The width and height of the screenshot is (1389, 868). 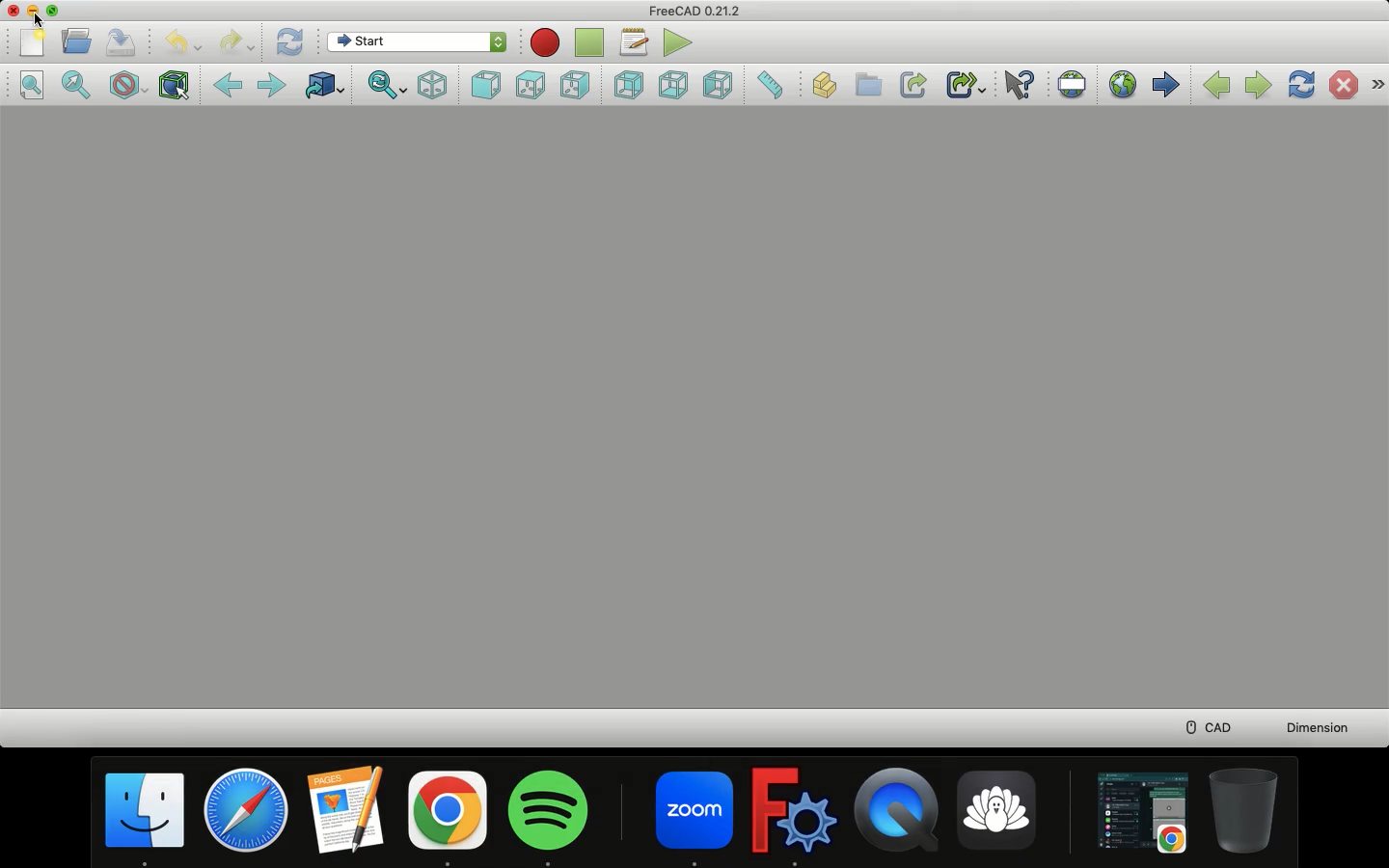 I want to click on Bottom, so click(x=676, y=83).